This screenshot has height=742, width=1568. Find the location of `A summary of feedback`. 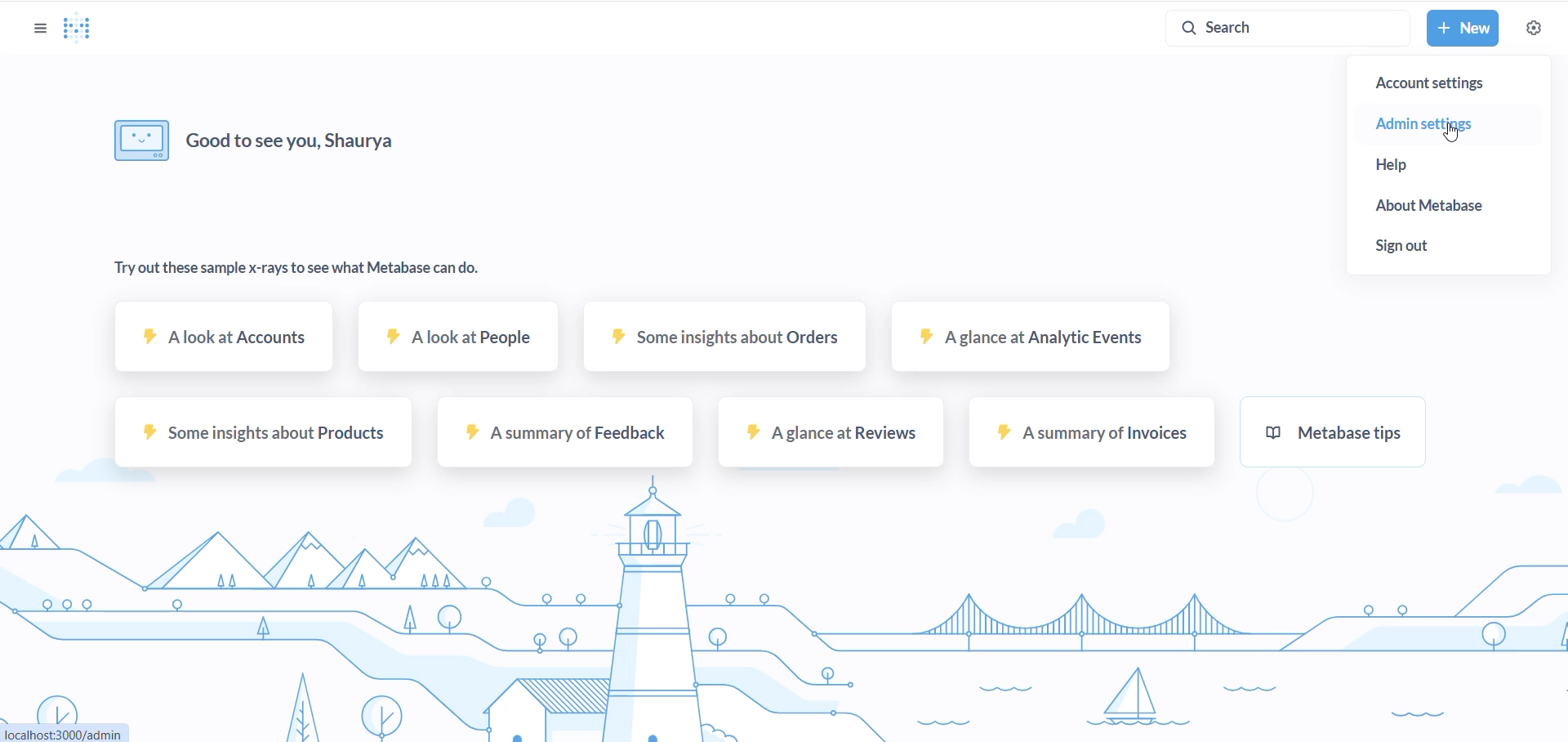

A summary of feedback is located at coordinates (566, 440).